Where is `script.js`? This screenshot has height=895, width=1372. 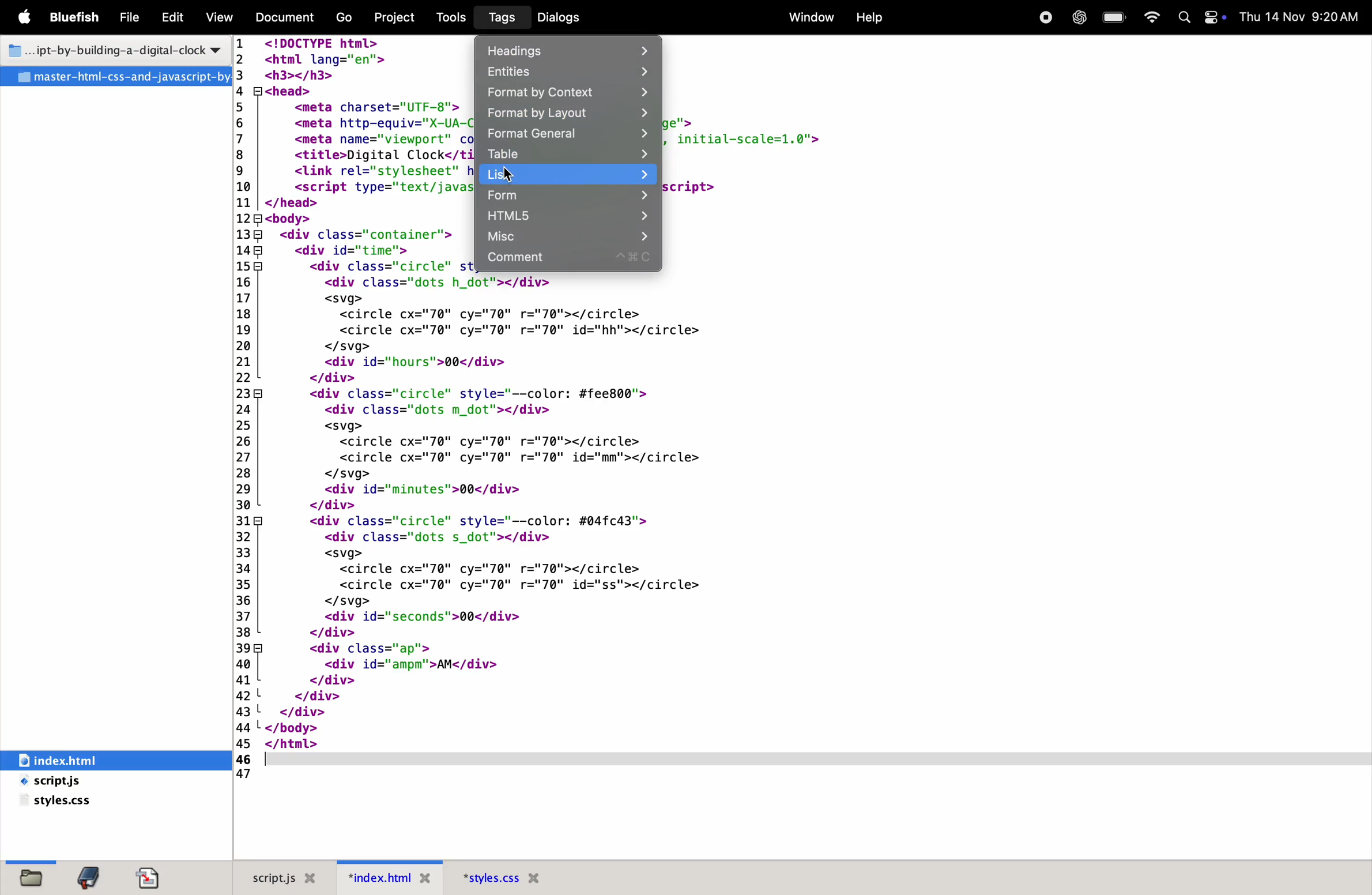 script.js is located at coordinates (80, 782).